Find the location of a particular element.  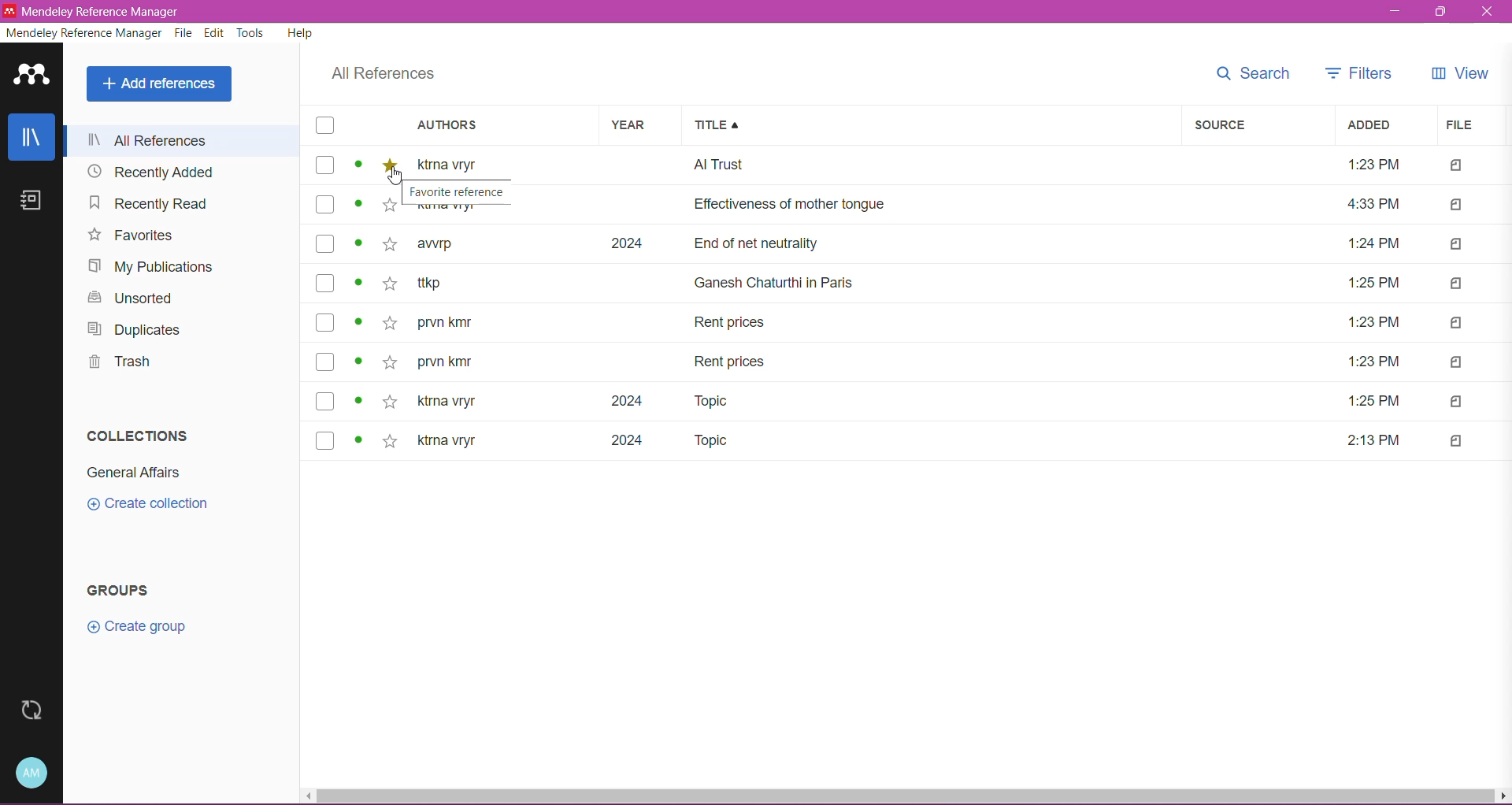

awrp 2024 End of net neutrality 1:24 PM is located at coordinates (910, 244).